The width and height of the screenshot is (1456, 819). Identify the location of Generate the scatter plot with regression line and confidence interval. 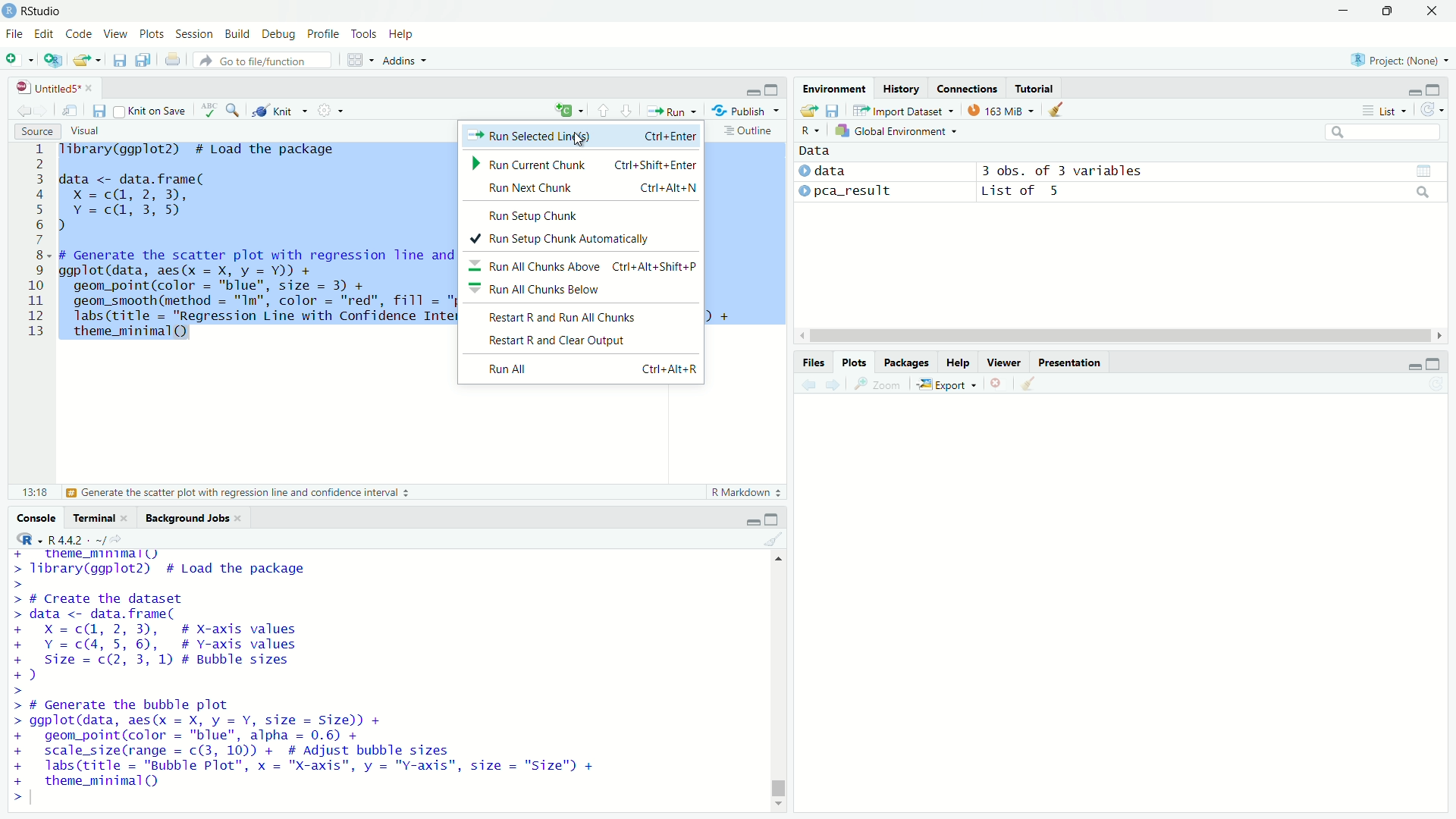
(239, 492).